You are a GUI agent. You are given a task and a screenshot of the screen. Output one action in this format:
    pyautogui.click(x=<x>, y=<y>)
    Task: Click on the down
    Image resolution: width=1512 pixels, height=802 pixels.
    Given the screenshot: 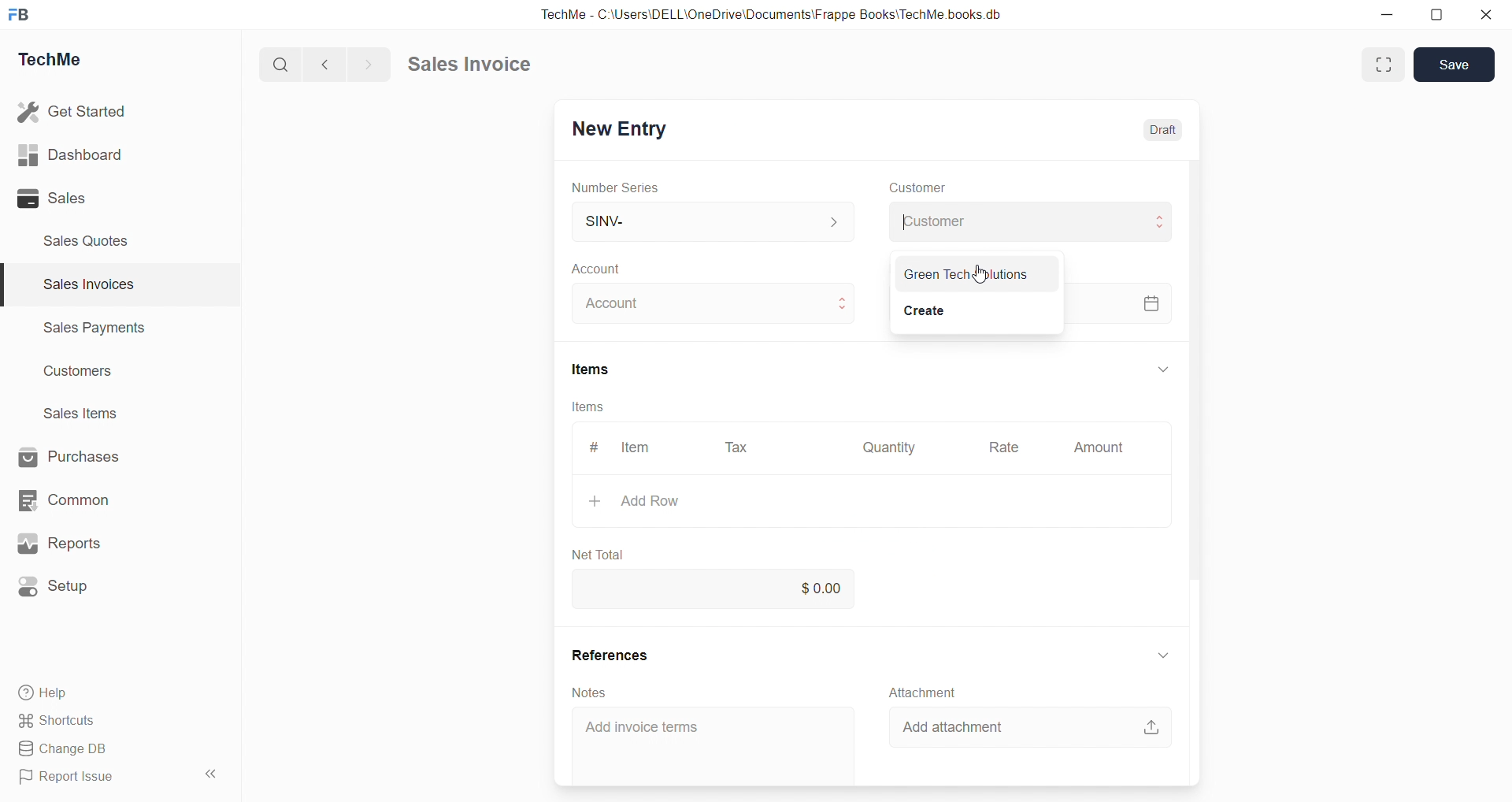 What is the action you would take?
    pyautogui.click(x=1164, y=369)
    